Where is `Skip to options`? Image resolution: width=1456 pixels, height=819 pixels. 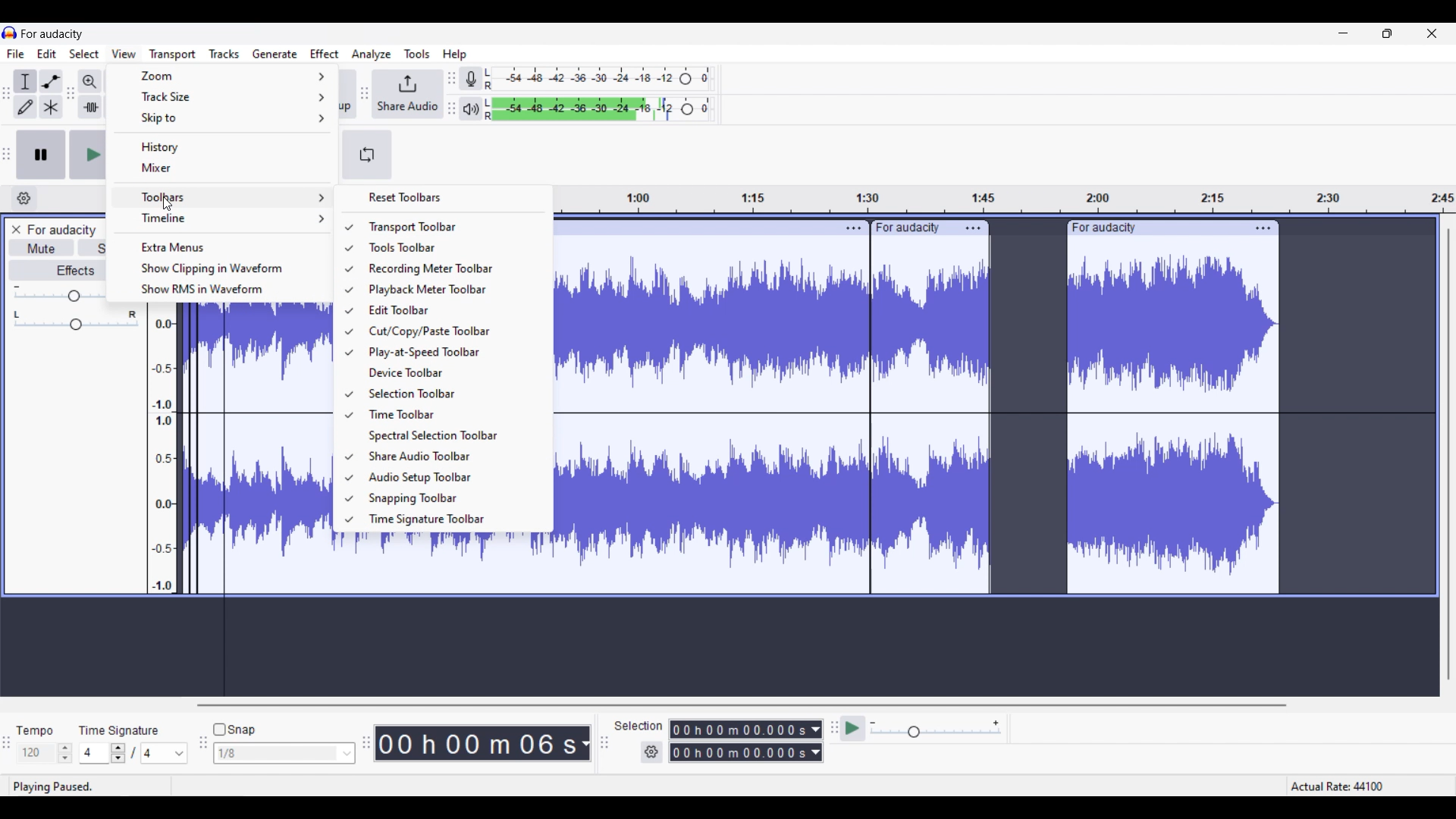 Skip to options is located at coordinates (222, 118).